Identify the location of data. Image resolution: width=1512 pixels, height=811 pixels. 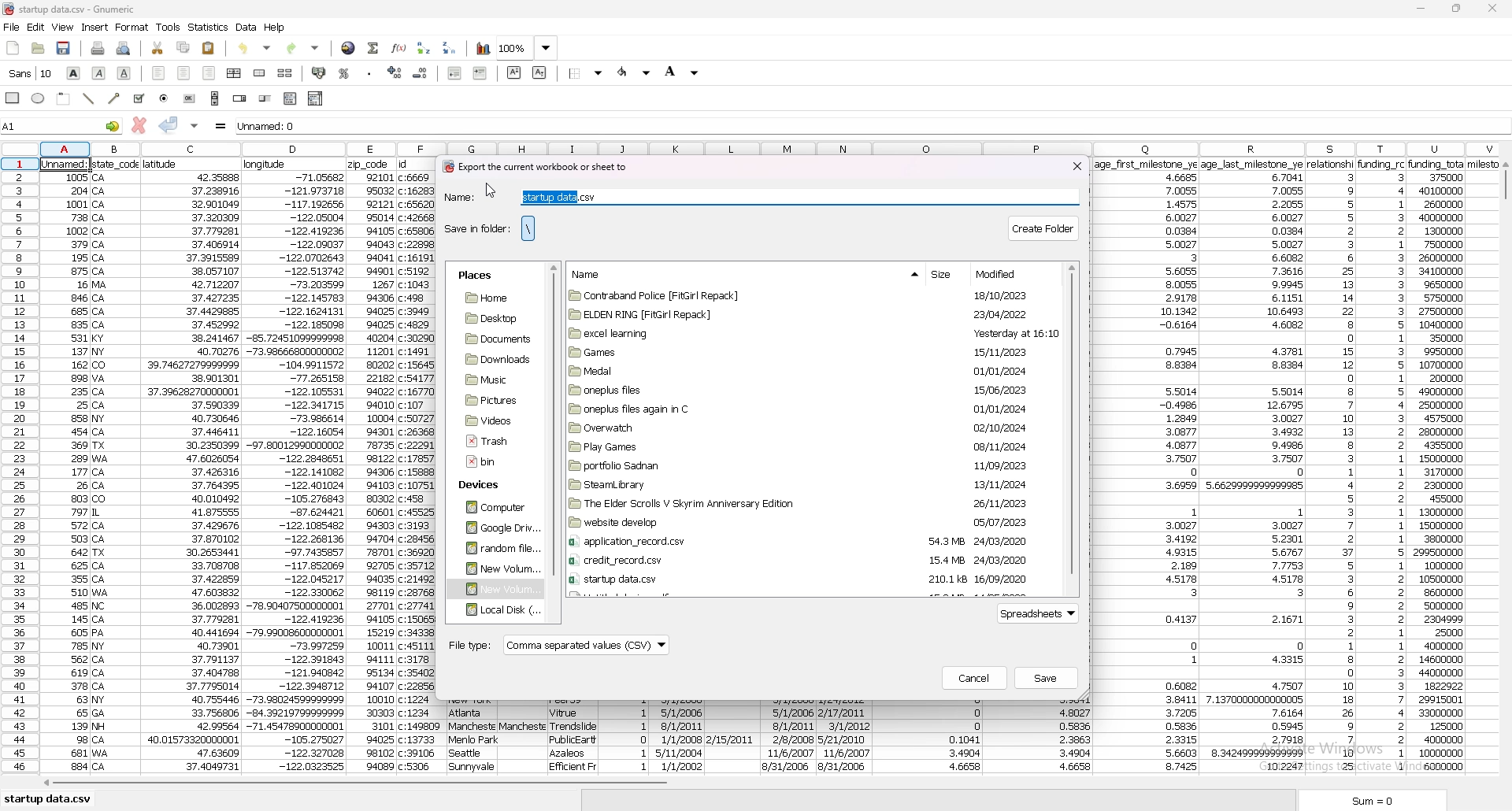
(844, 734).